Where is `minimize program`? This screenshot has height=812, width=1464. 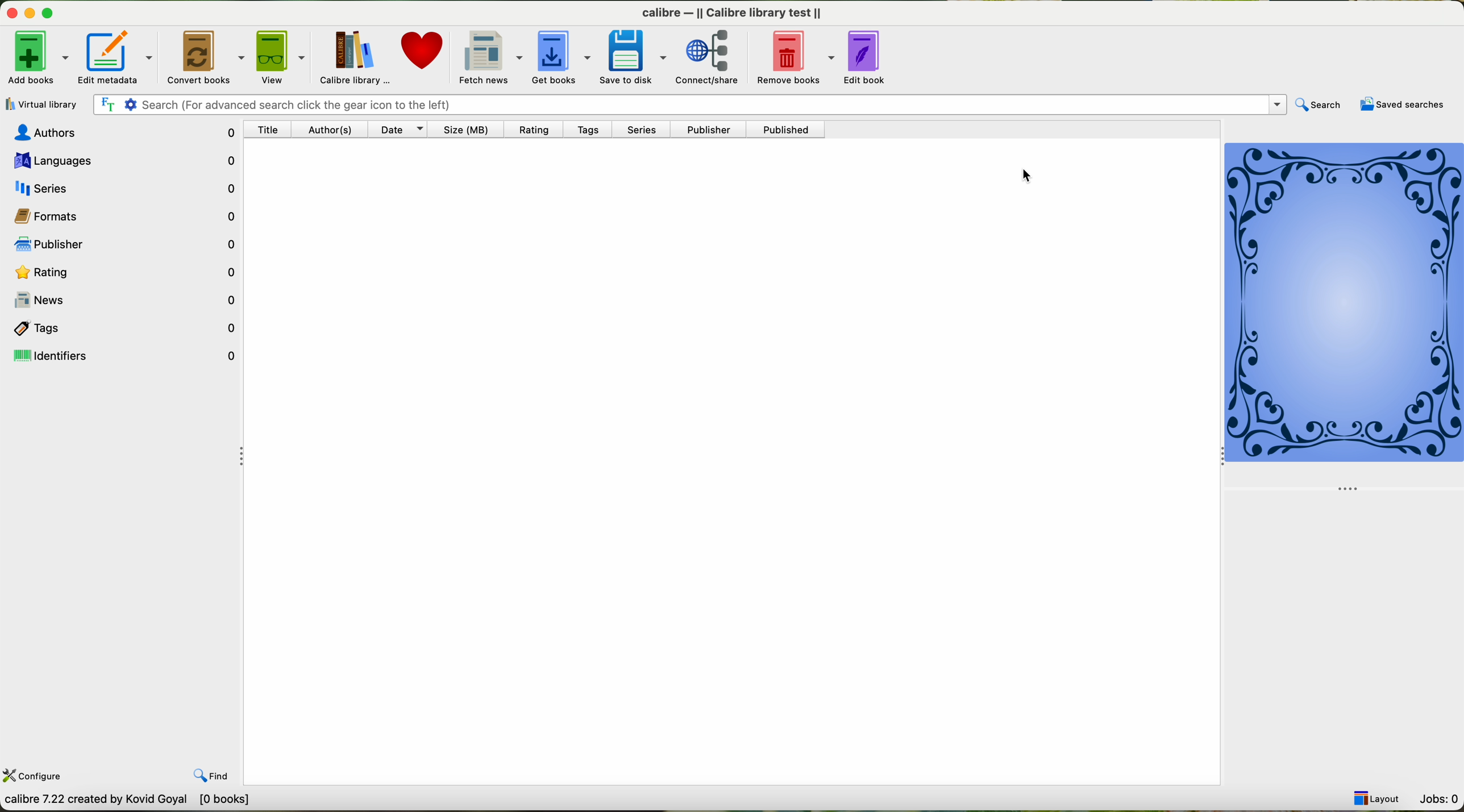 minimize program is located at coordinates (32, 14).